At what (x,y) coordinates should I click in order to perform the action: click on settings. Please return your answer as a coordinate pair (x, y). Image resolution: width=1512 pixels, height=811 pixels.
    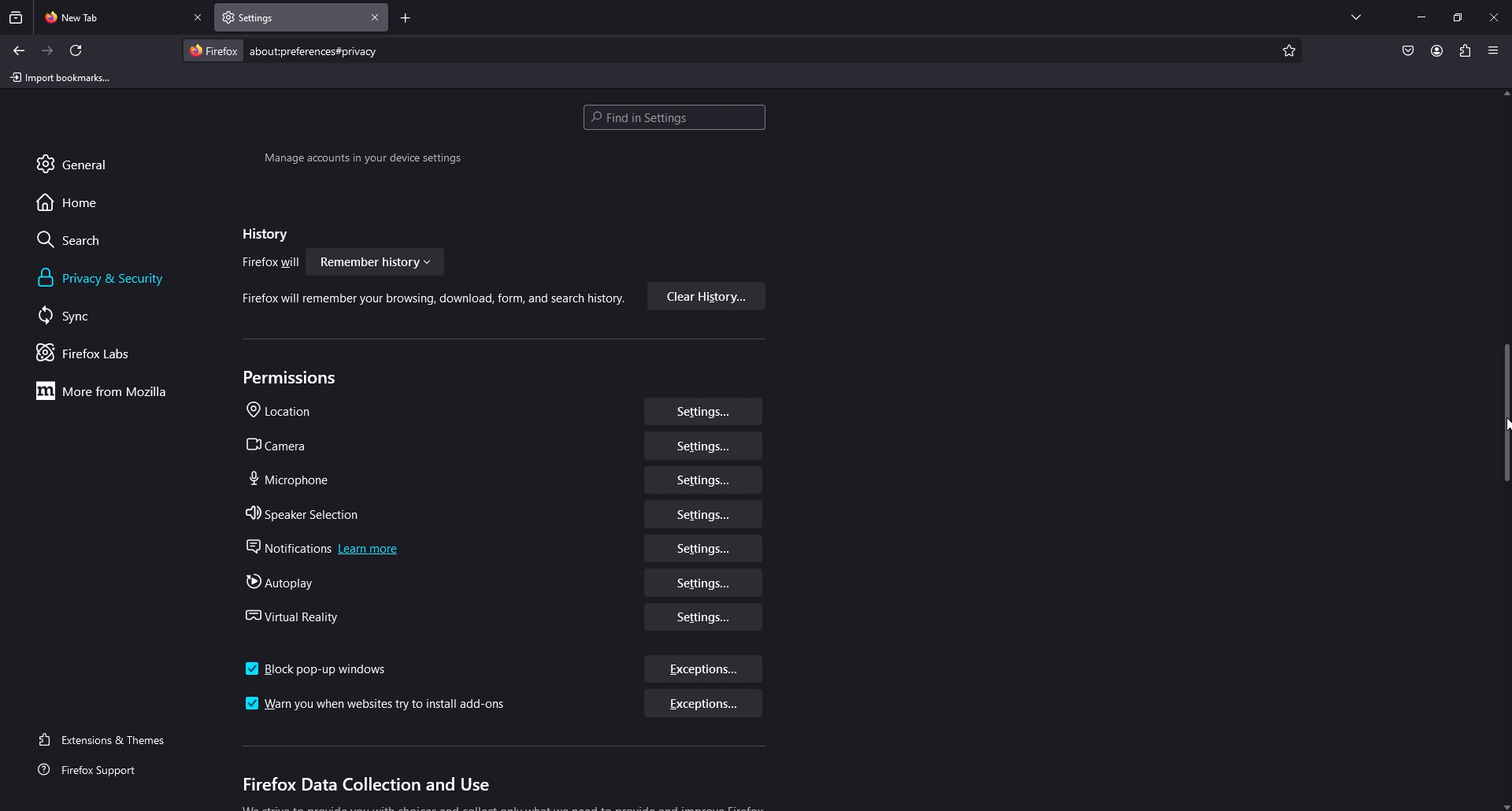
    Looking at the image, I should click on (701, 583).